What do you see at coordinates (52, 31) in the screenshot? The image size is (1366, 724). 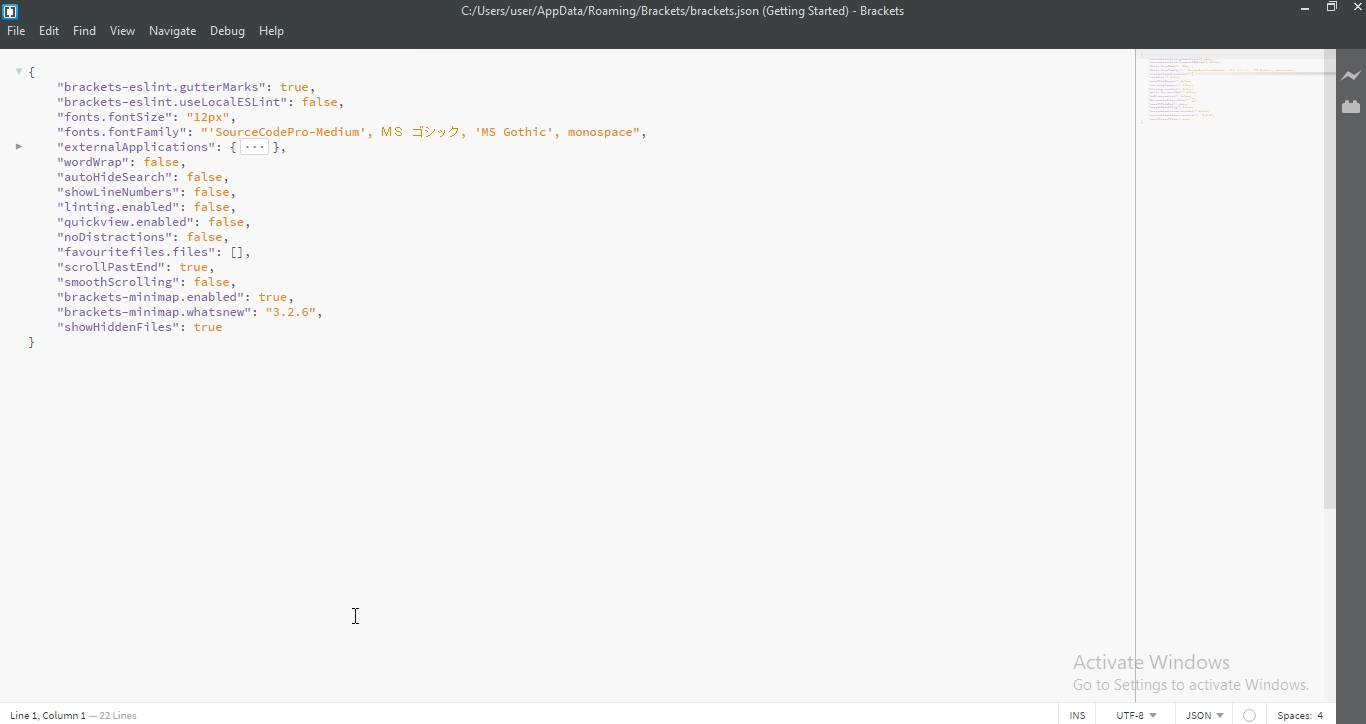 I see `Edit` at bounding box center [52, 31].